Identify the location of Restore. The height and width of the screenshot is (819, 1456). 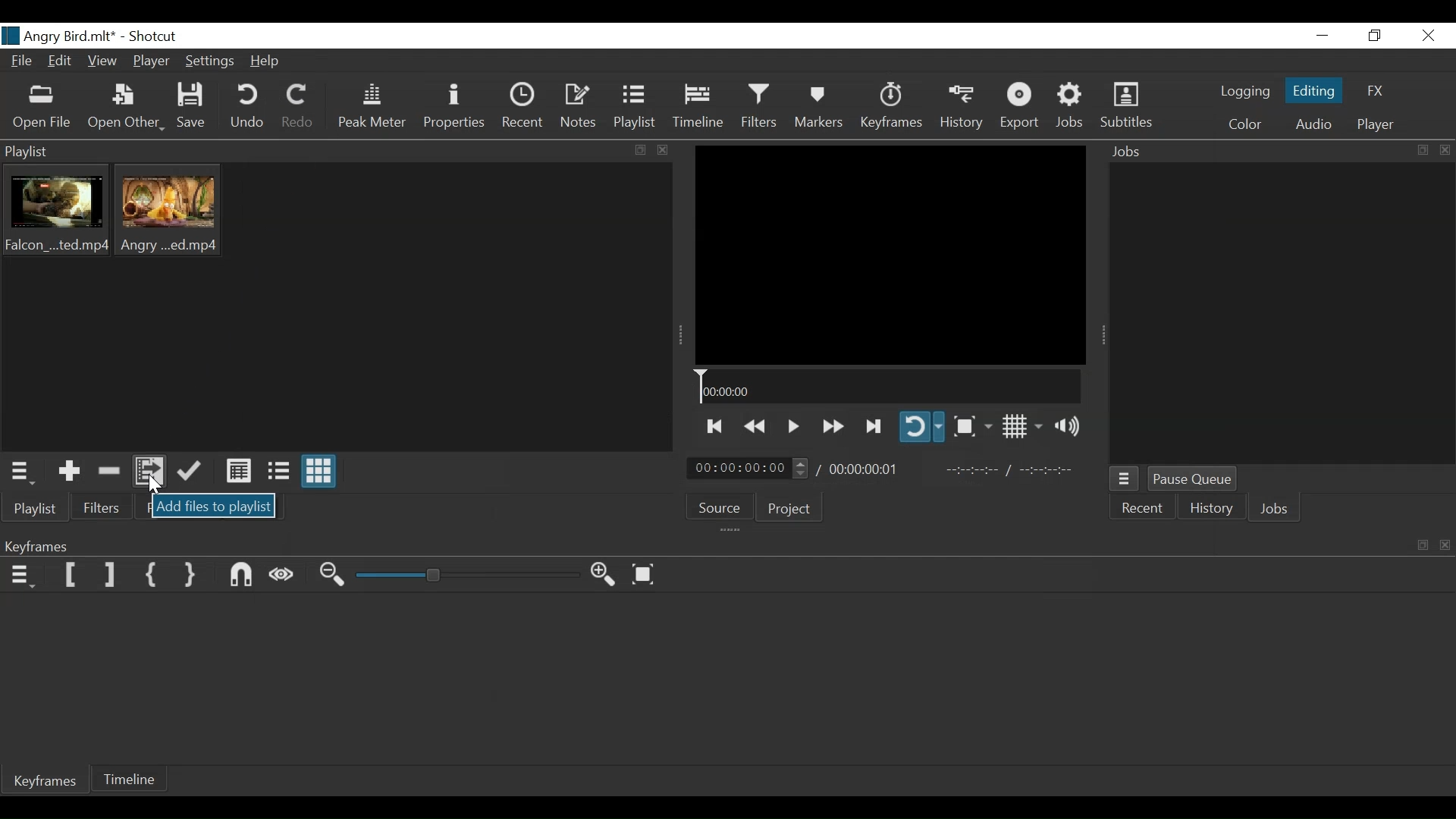
(1378, 36).